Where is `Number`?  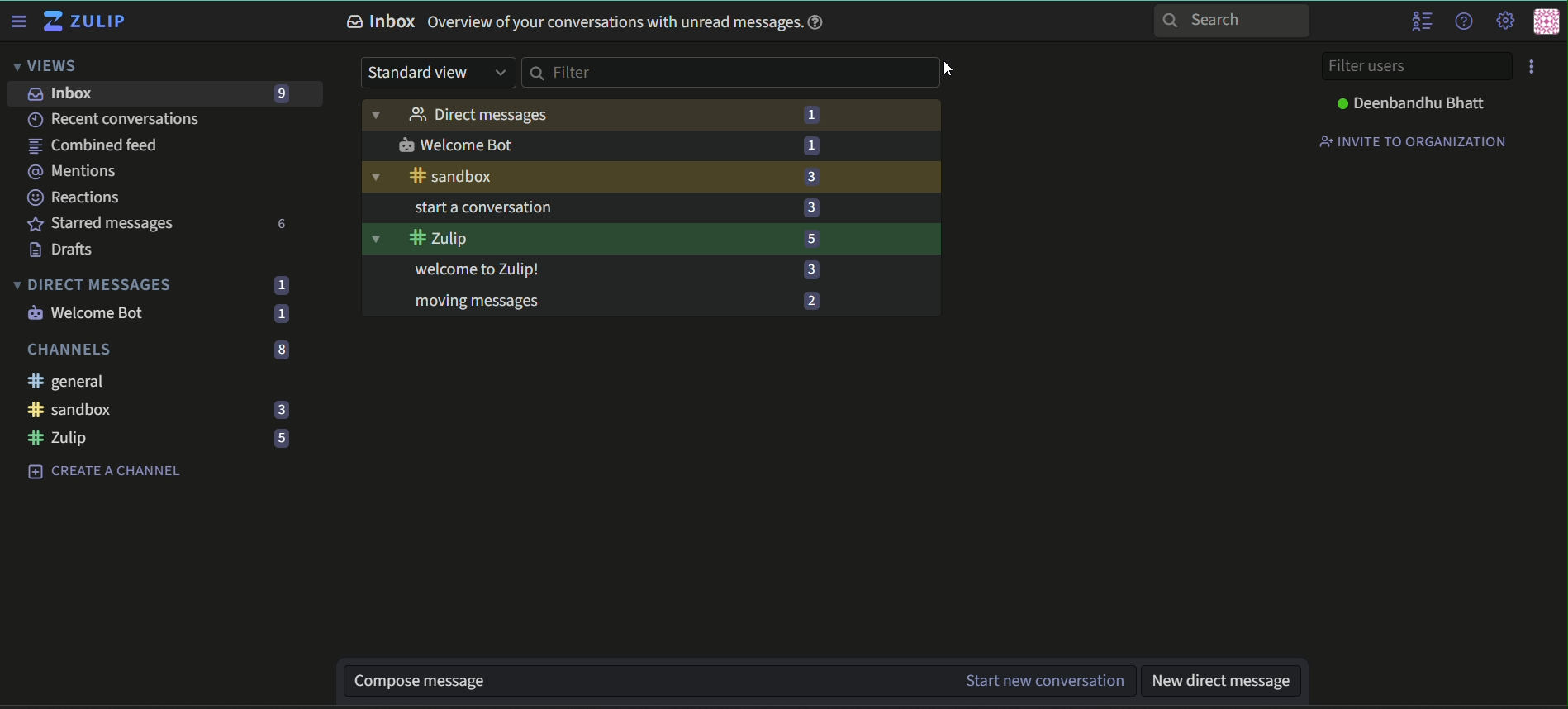 Number is located at coordinates (813, 115).